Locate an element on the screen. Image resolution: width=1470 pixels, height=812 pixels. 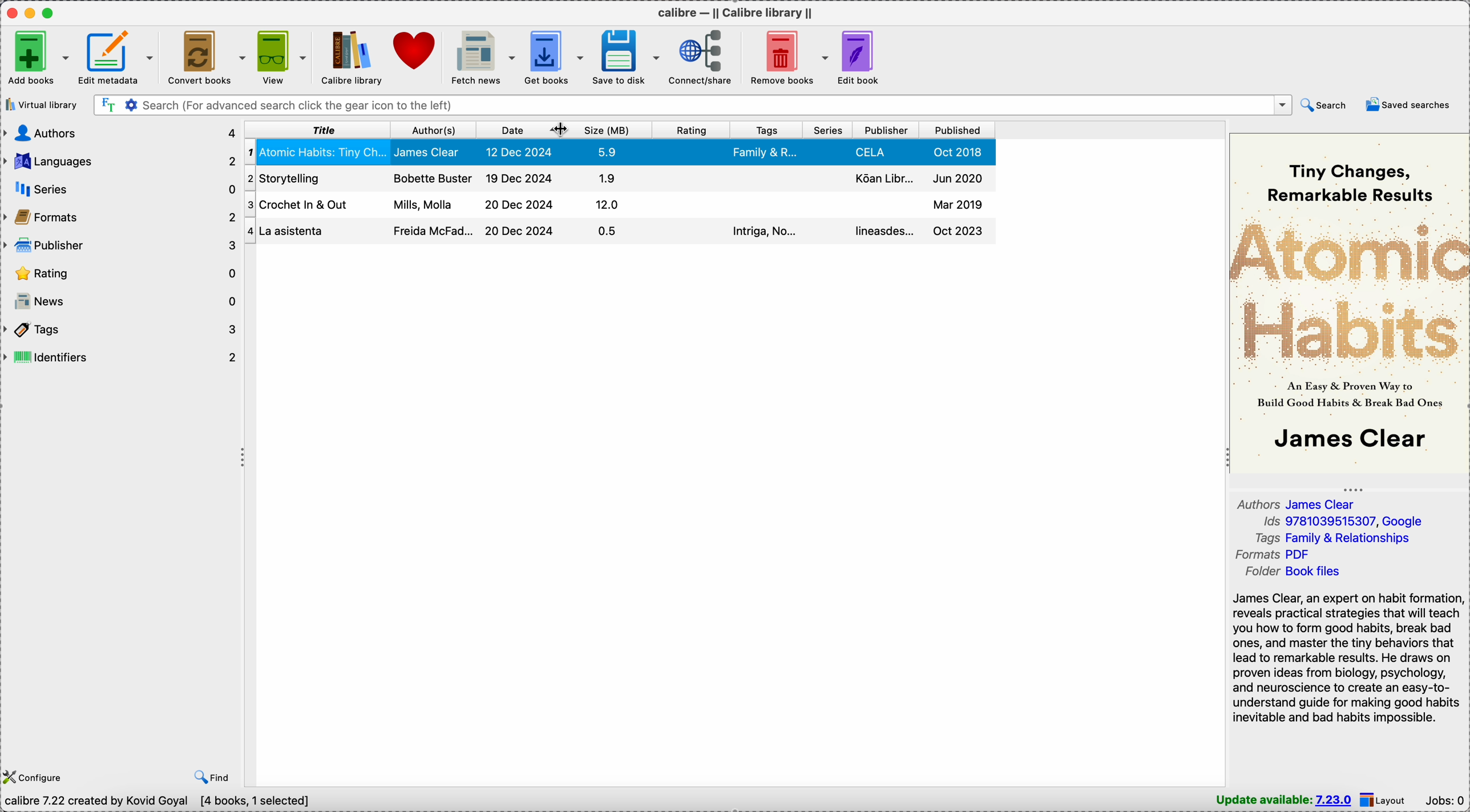
authors is located at coordinates (120, 134).